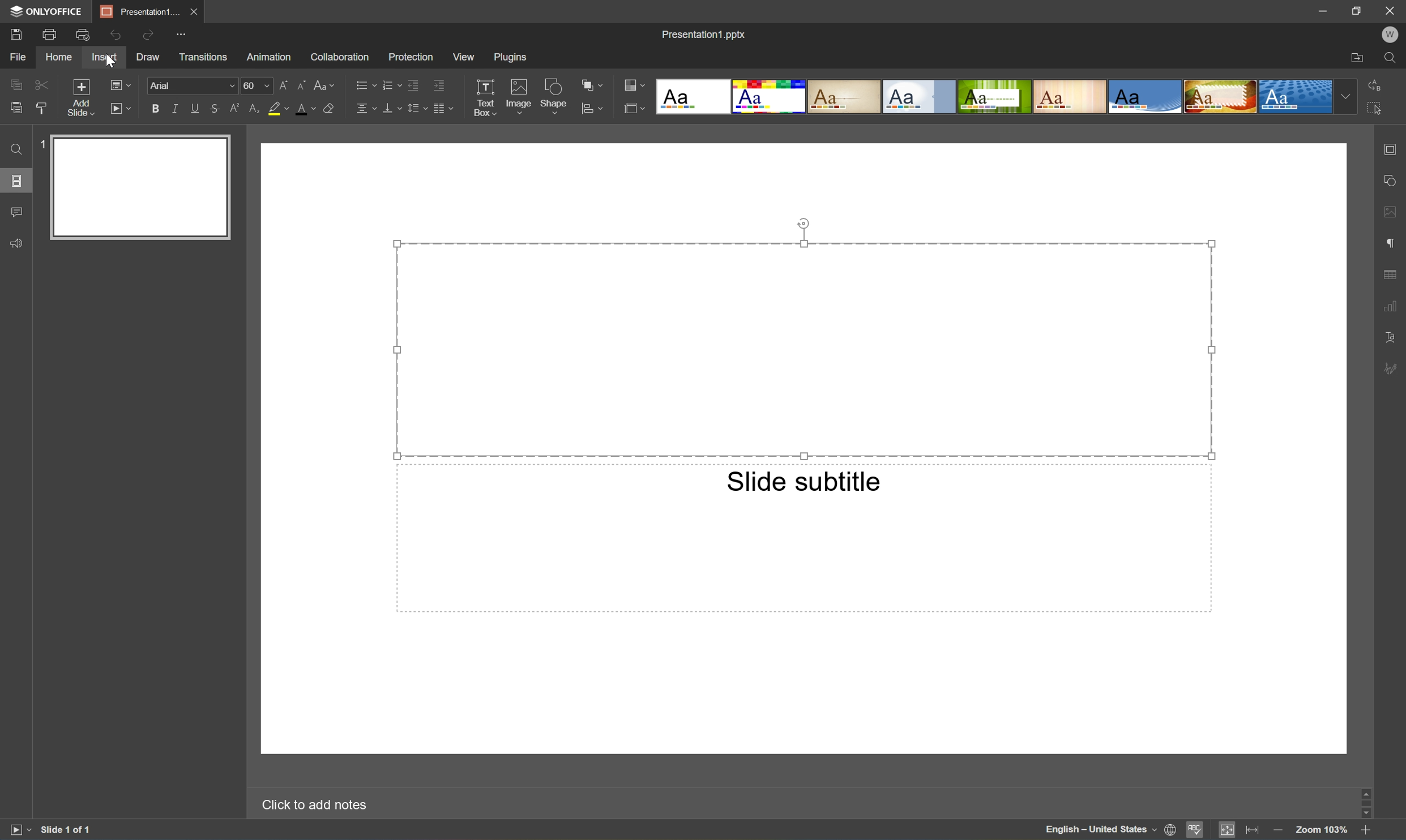 This screenshot has height=840, width=1406. I want to click on Increment case, so click(279, 83).